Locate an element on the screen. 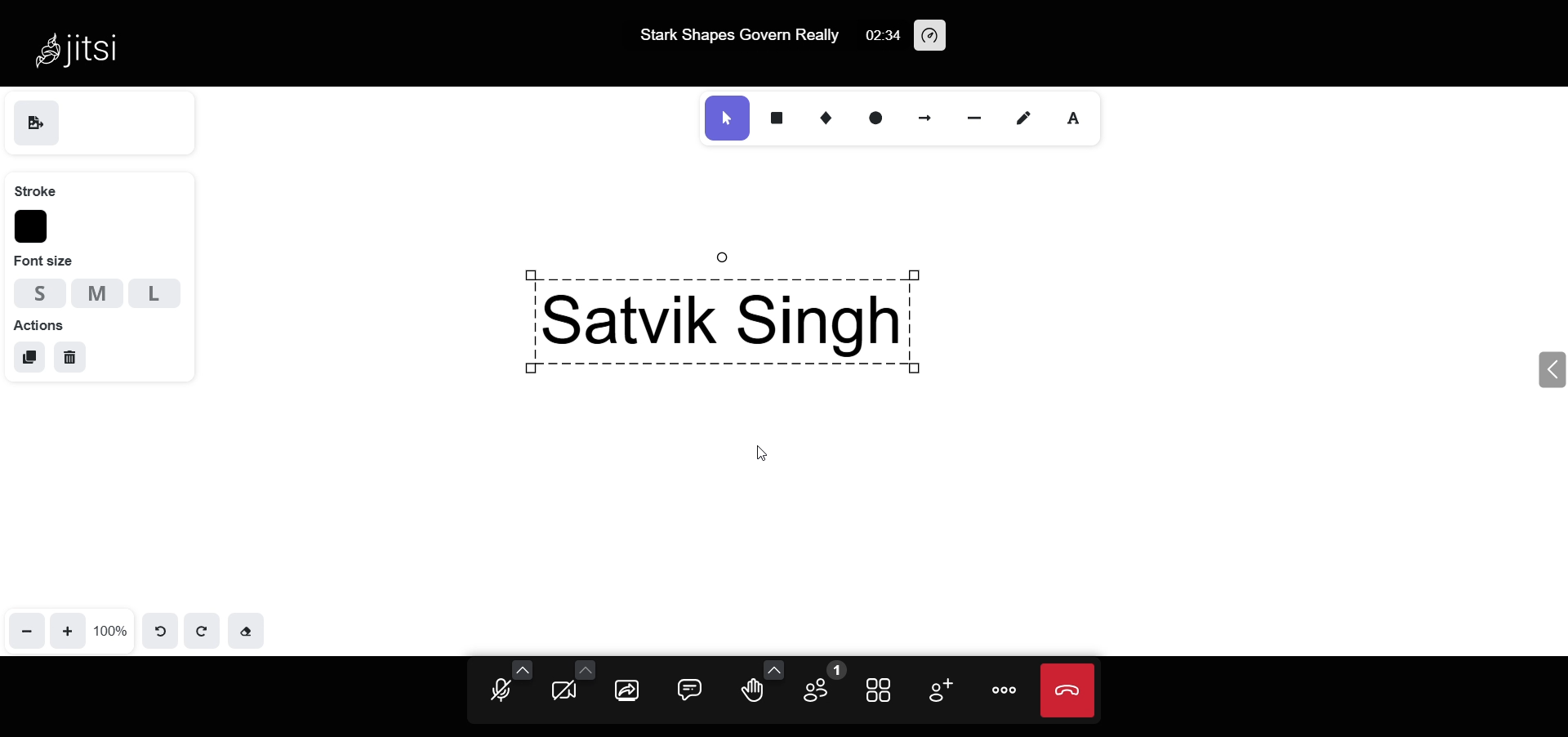 Image resolution: width=1568 pixels, height=737 pixels. text is located at coordinates (1077, 119).